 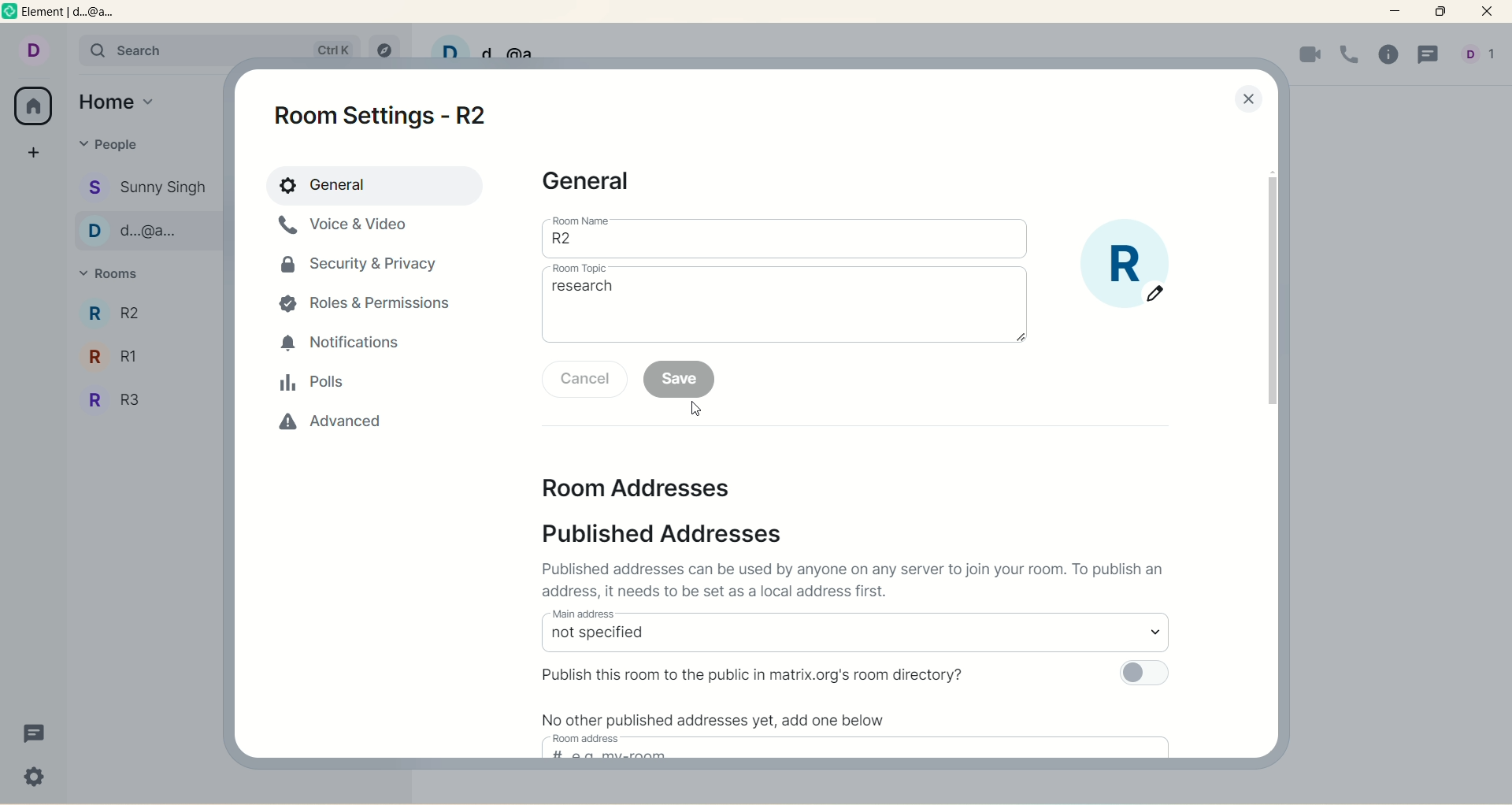 I want to click on polls, so click(x=313, y=384).